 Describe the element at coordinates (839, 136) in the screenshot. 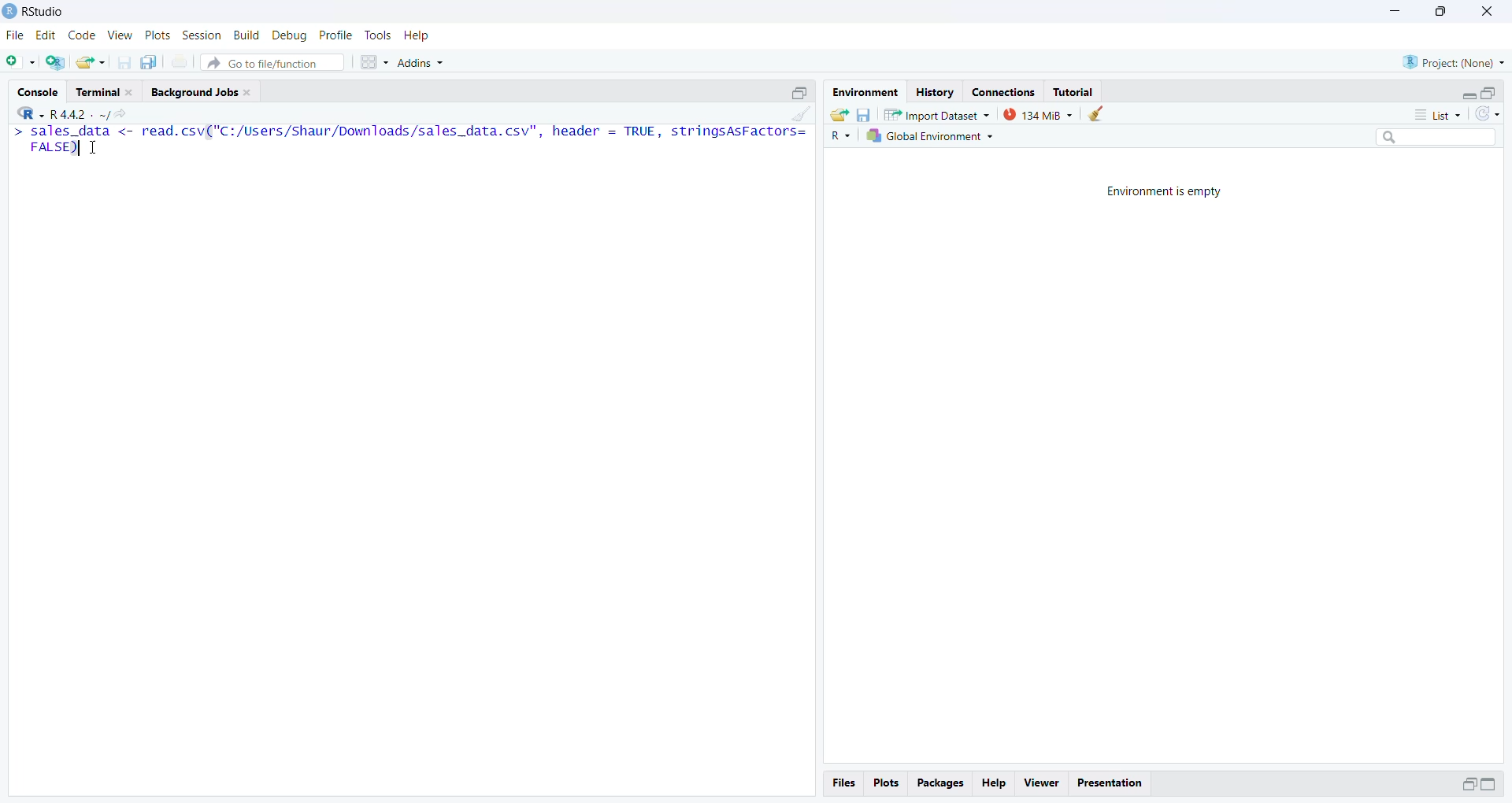

I see `R` at that location.